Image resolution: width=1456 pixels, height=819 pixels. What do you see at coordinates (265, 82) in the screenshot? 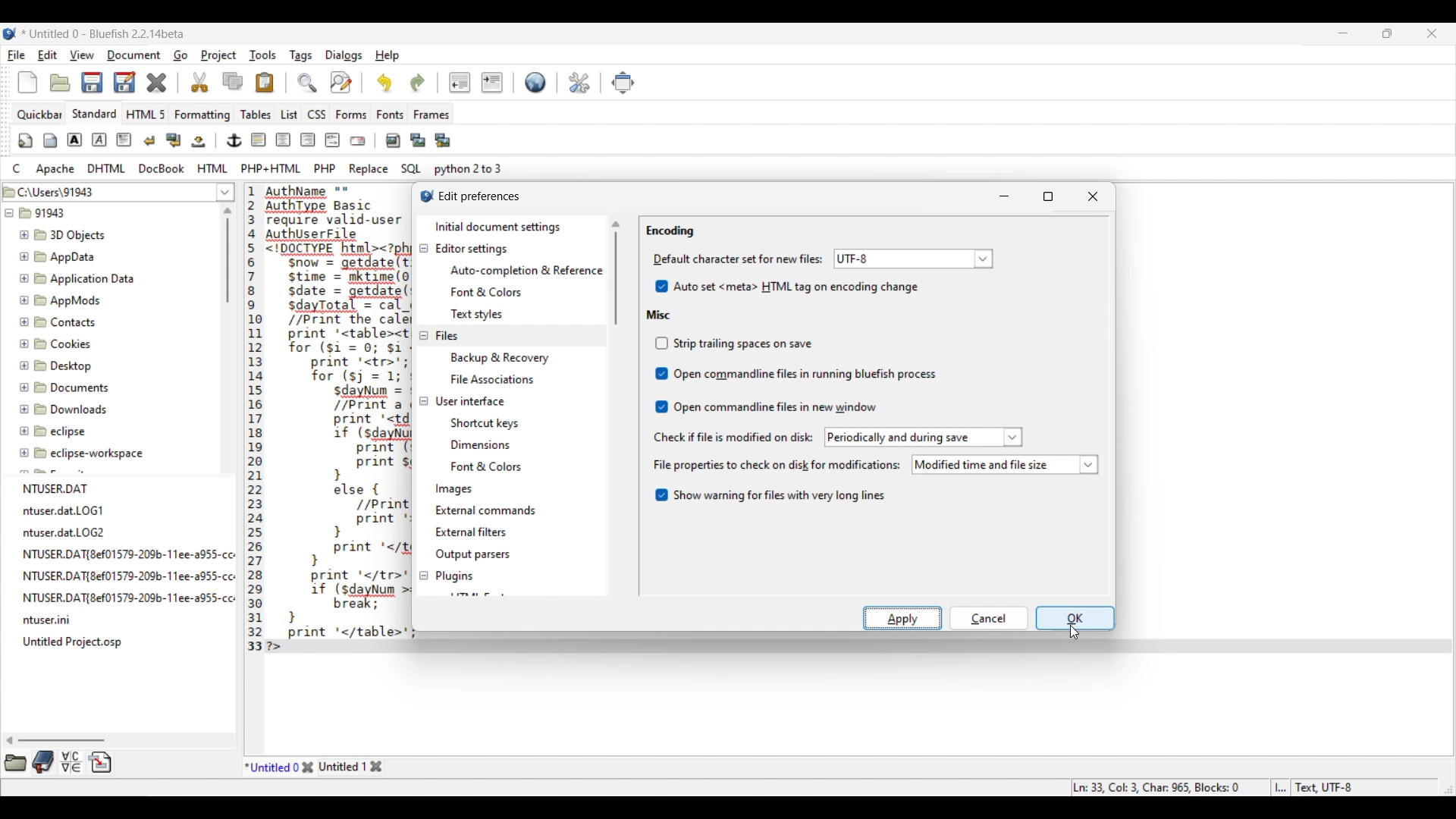
I see `Paste` at bounding box center [265, 82].